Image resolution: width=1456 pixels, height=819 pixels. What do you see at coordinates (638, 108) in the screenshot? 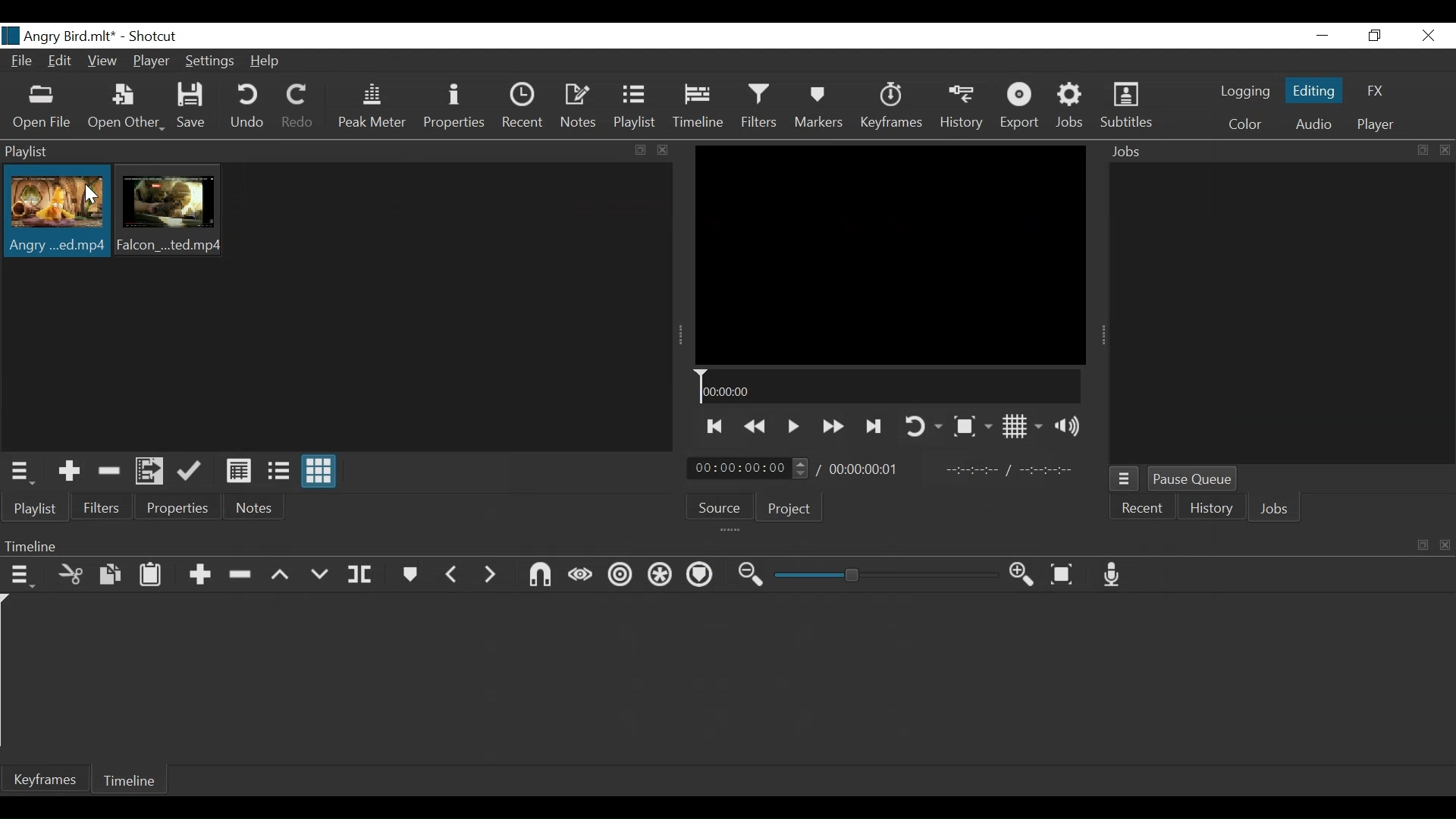
I see `Playlist` at bounding box center [638, 108].